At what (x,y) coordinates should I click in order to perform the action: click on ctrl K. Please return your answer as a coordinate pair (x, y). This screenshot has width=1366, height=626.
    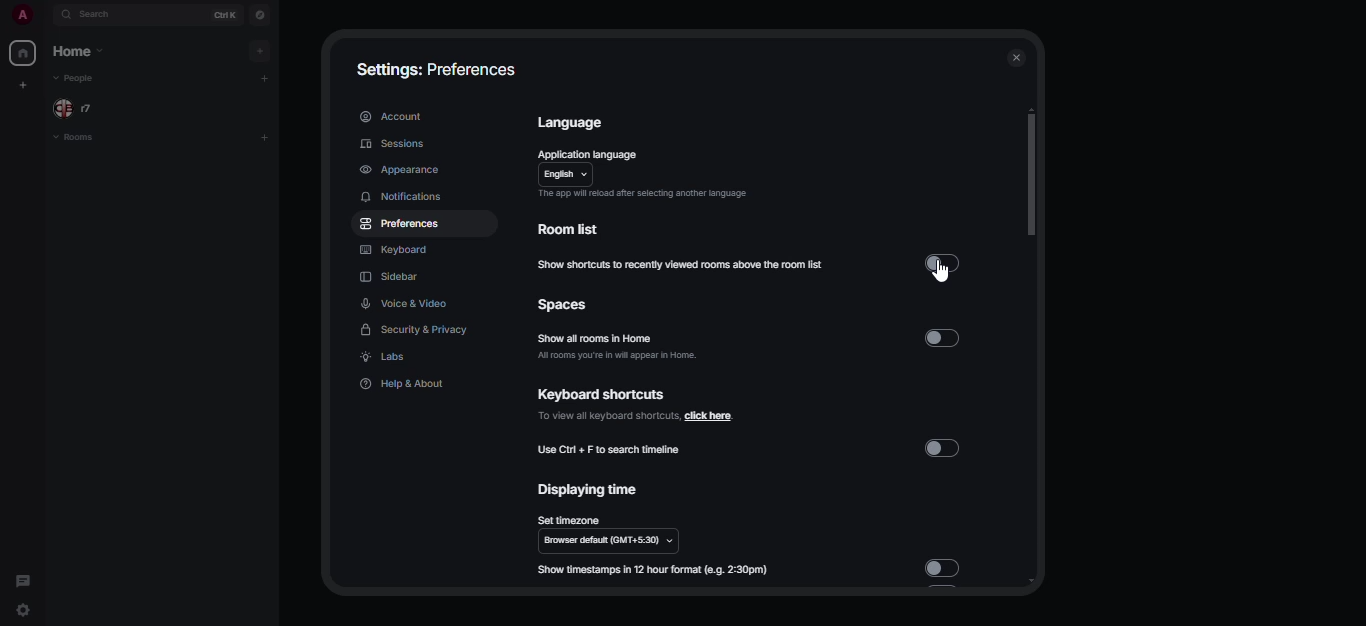
    Looking at the image, I should click on (225, 13).